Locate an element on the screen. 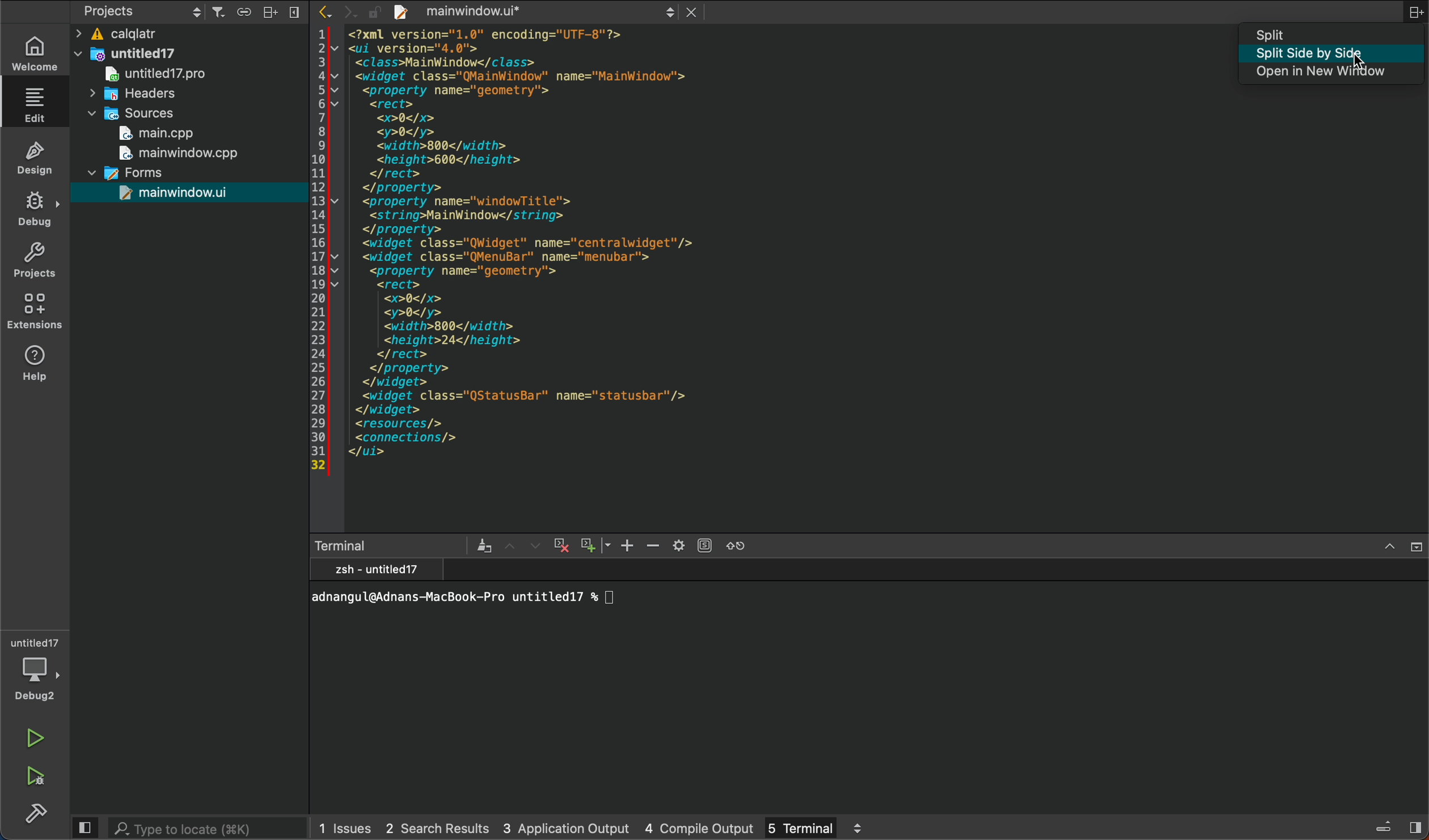  welcome is located at coordinates (33, 54).